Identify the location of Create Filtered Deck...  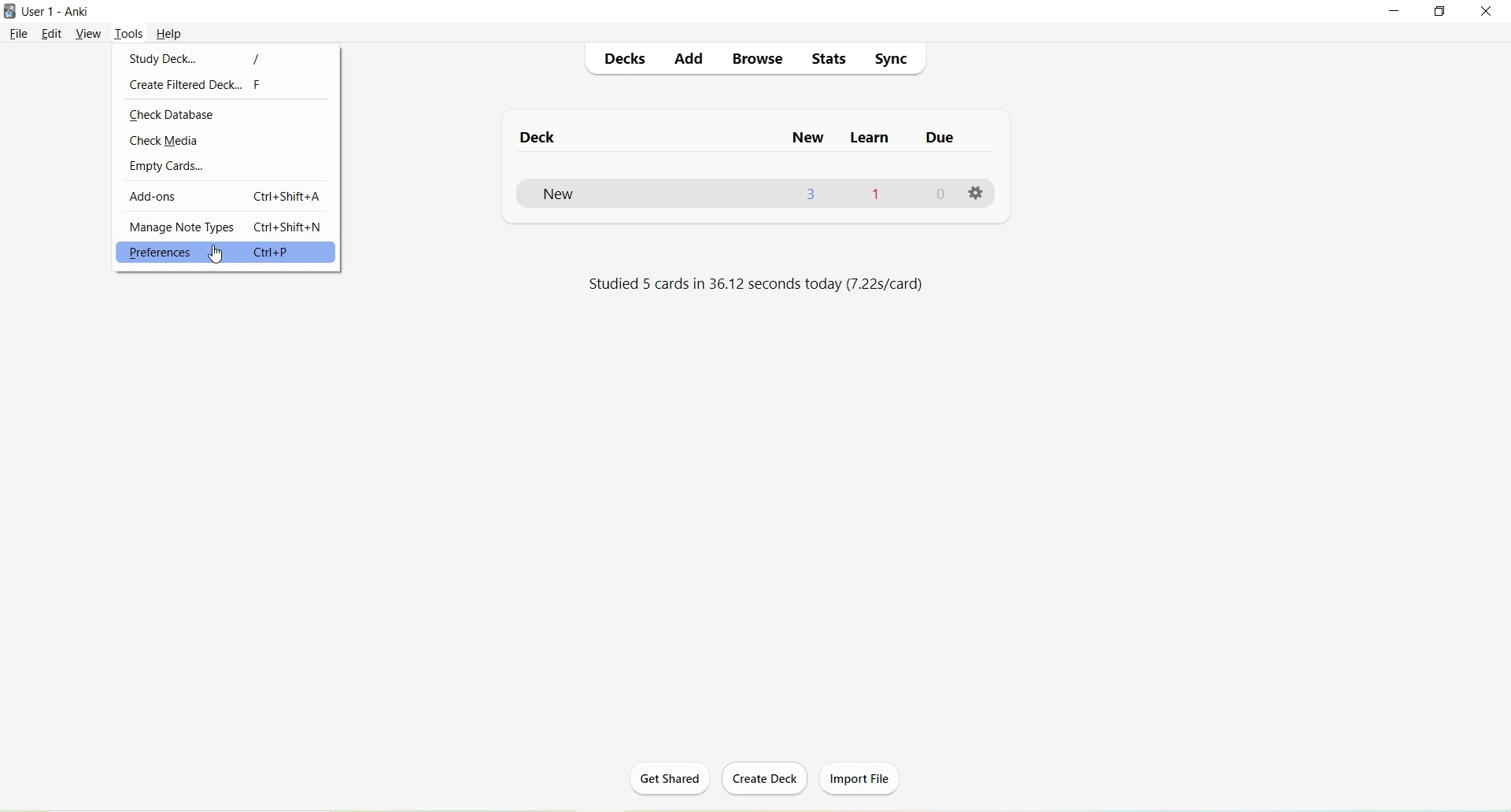
(187, 87).